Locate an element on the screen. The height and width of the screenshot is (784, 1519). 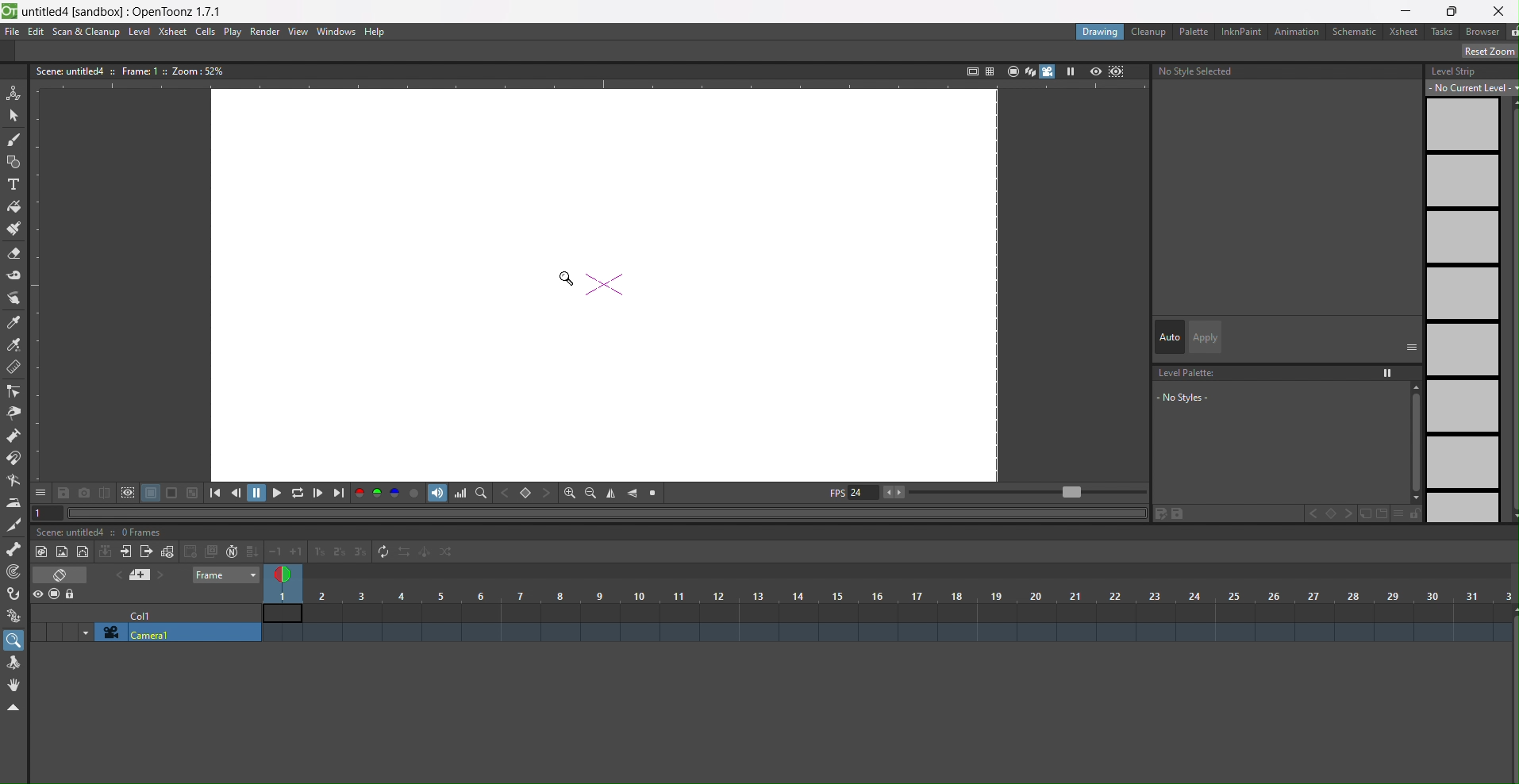
skeleton tool is located at coordinates (15, 551).